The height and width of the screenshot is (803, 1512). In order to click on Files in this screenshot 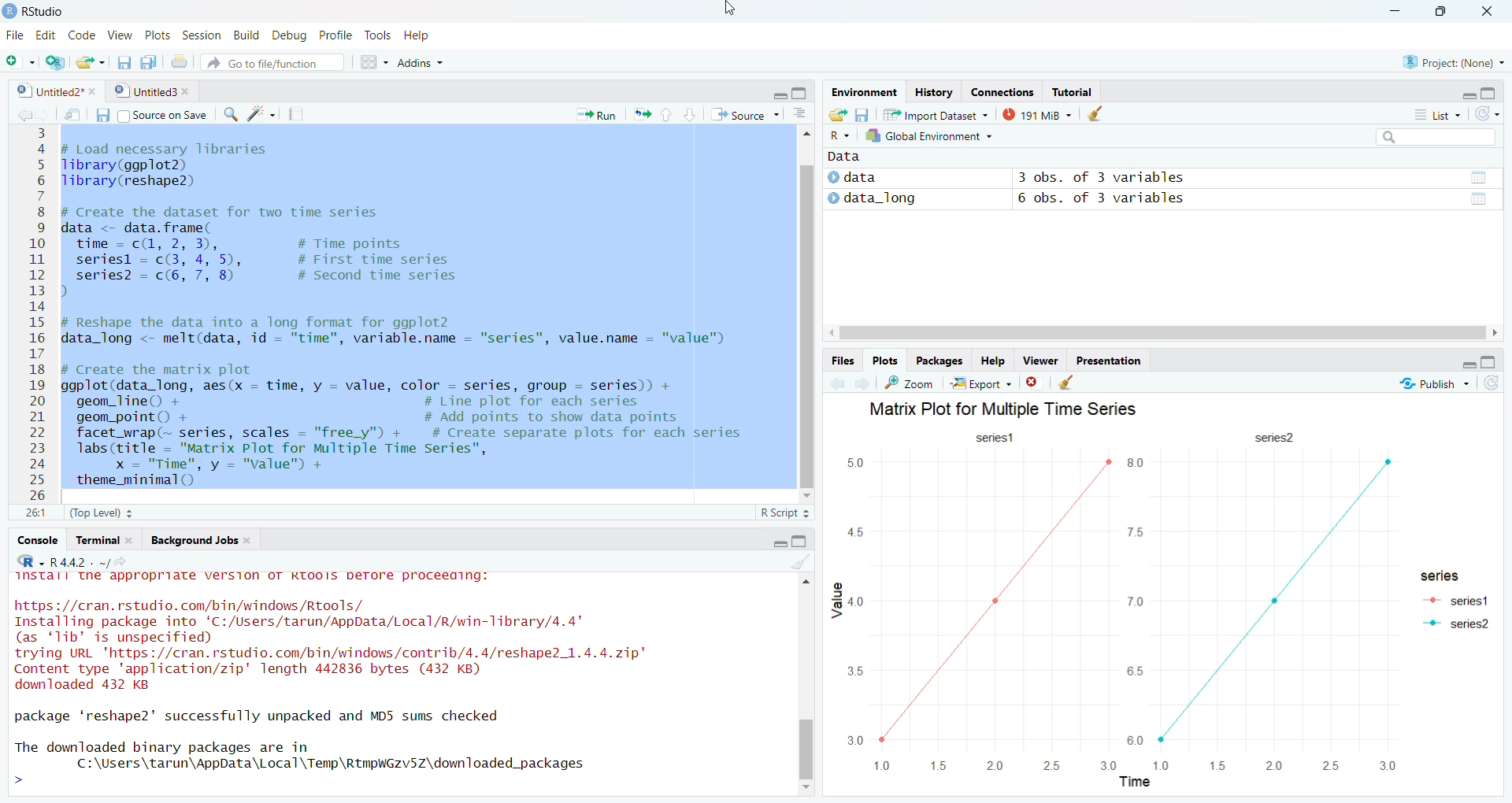, I will do `click(843, 361)`.